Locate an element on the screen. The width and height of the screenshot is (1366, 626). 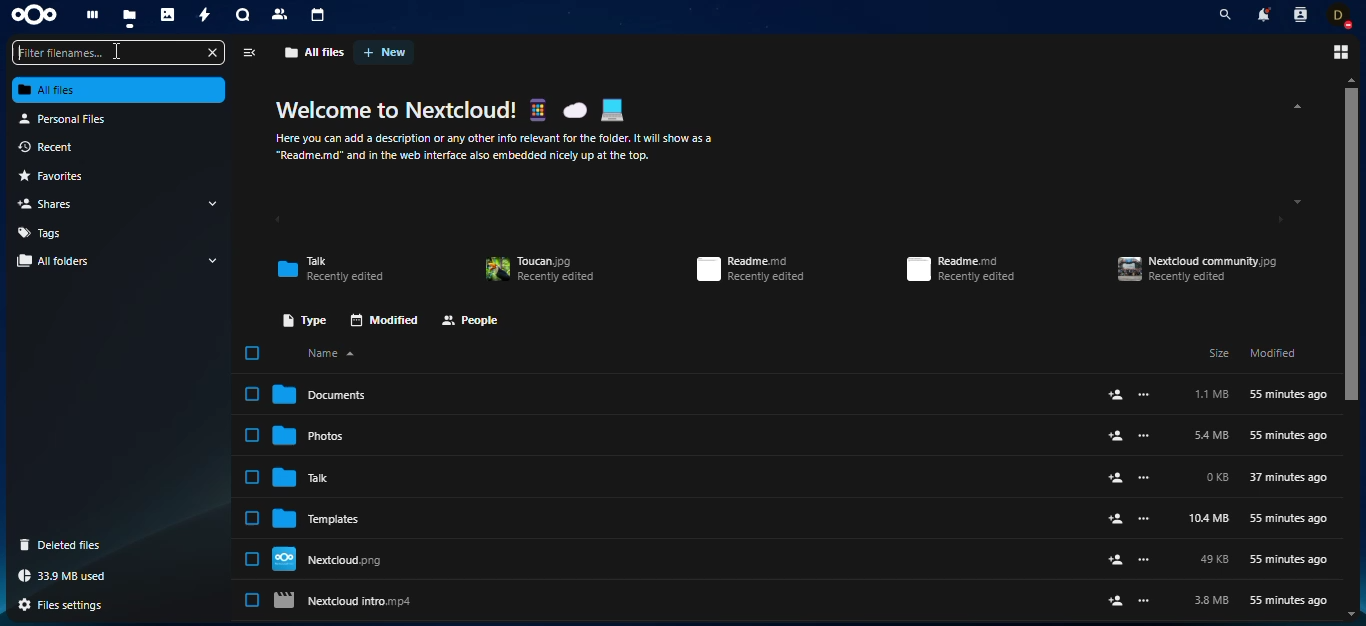
view is located at coordinates (248, 53).